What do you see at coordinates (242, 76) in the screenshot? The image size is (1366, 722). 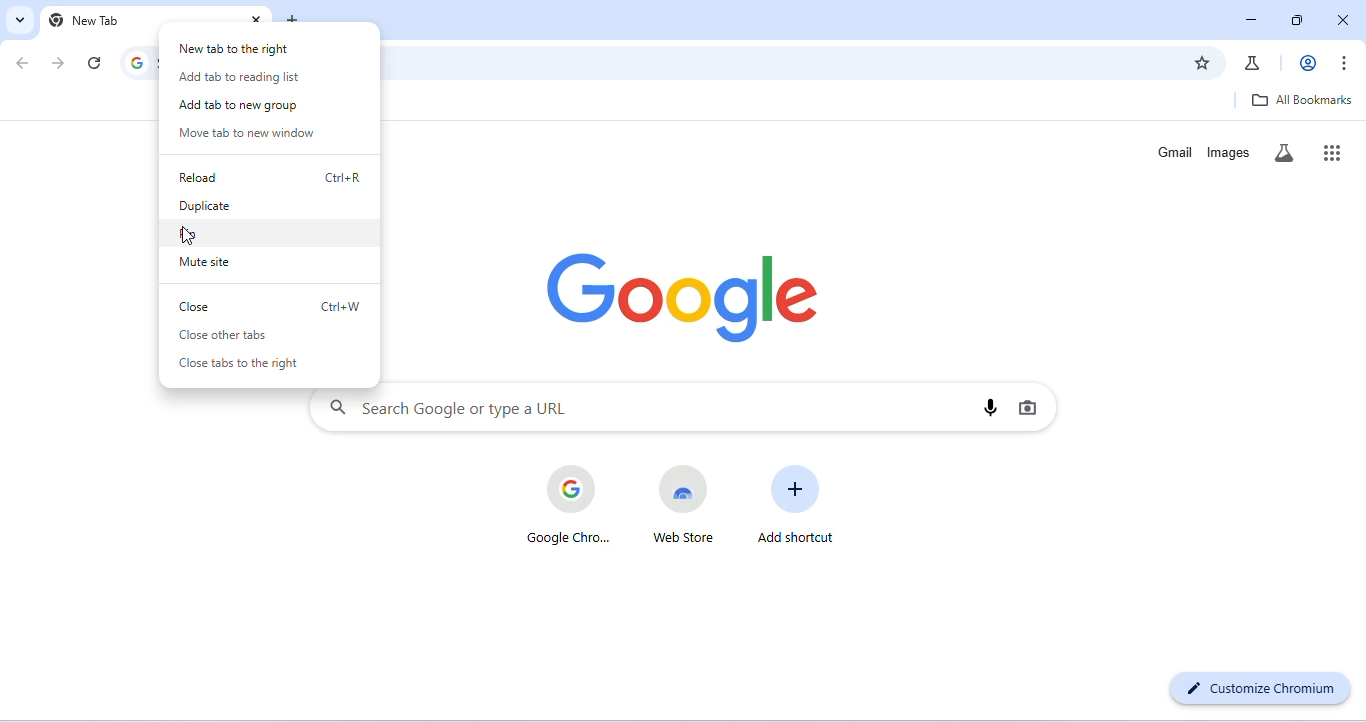 I see `add tab to reading list` at bounding box center [242, 76].